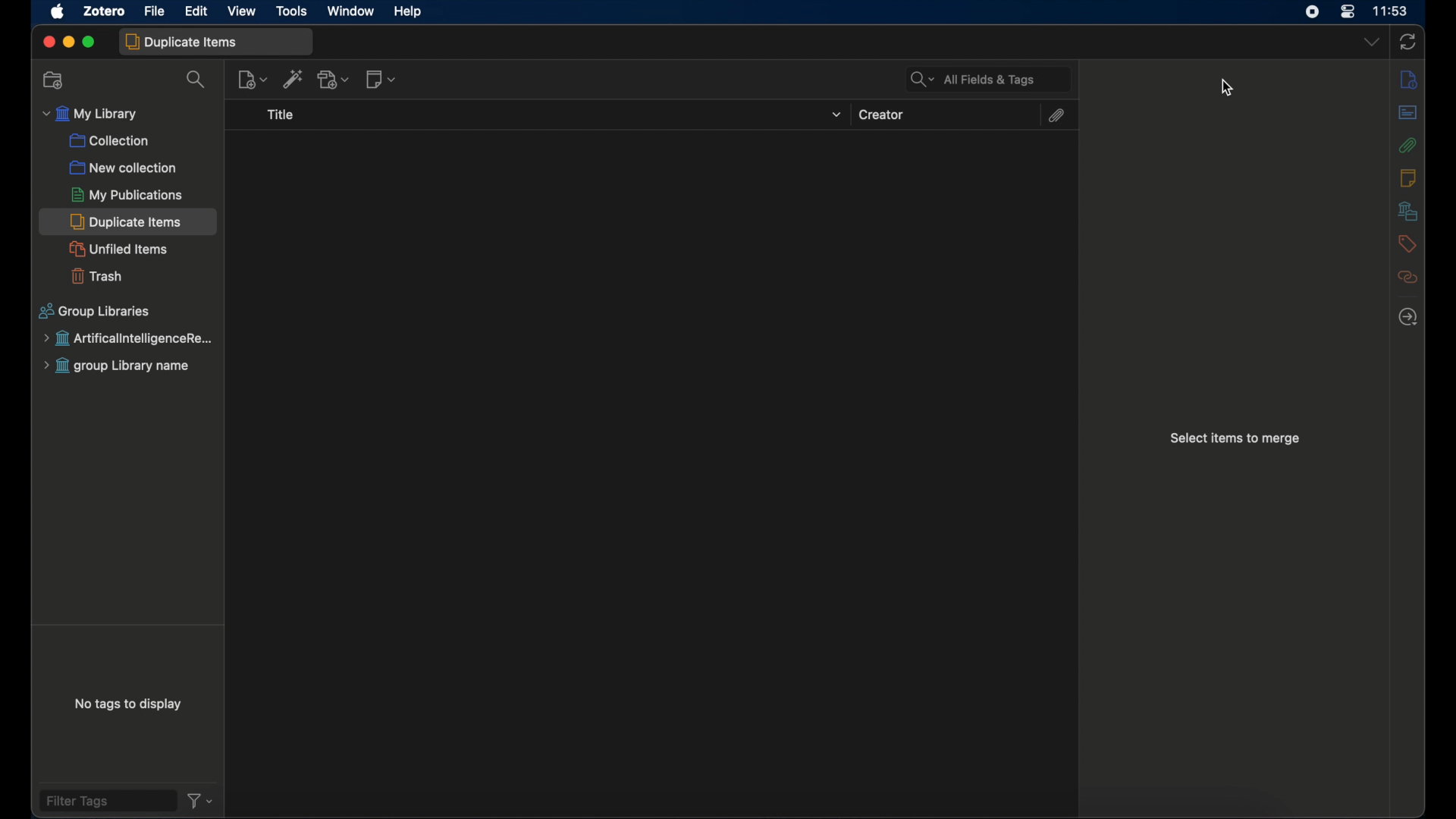  What do you see at coordinates (409, 12) in the screenshot?
I see `help` at bounding box center [409, 12].